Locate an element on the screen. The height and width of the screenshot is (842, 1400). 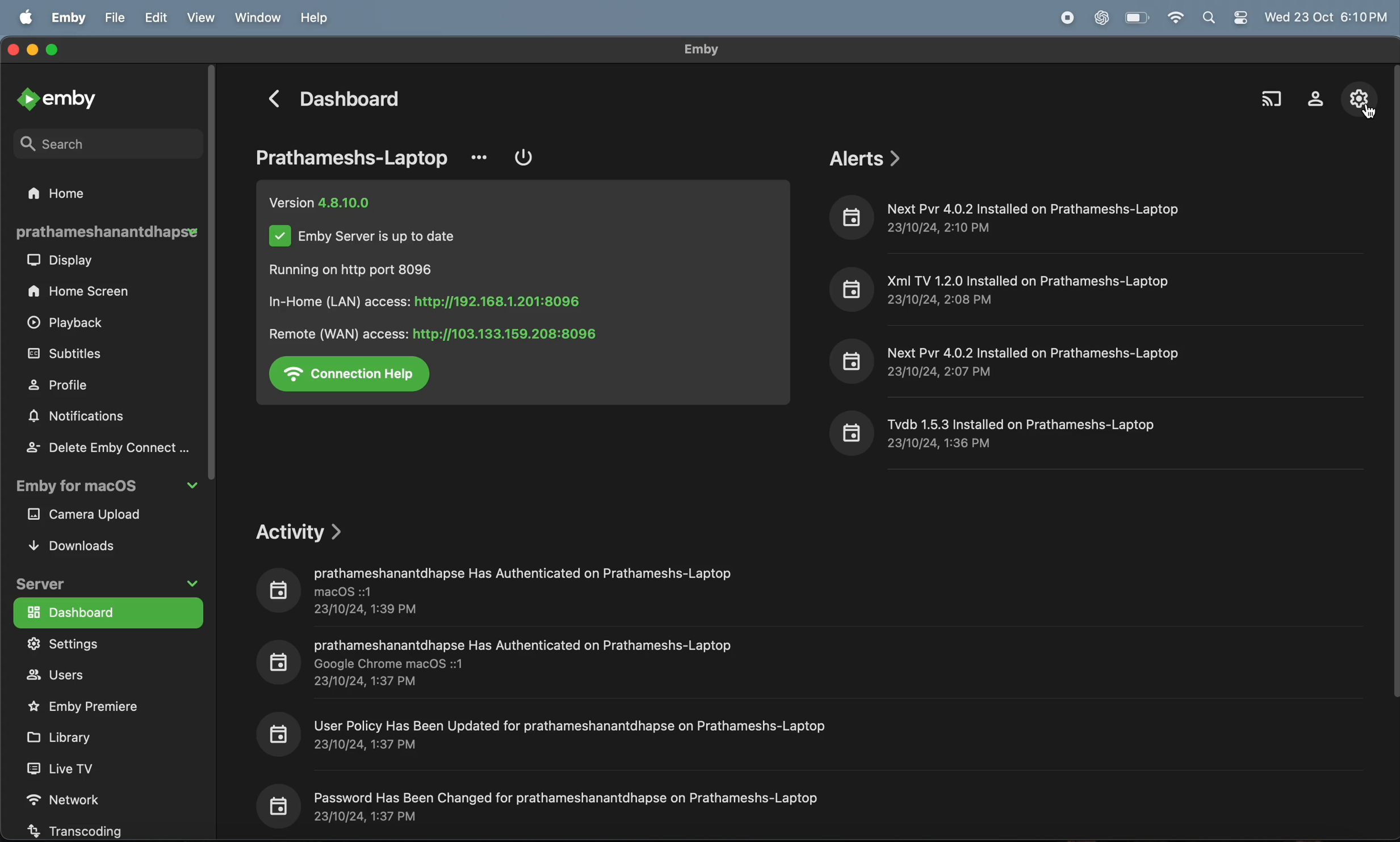
view is located at coordinates (198, 18).